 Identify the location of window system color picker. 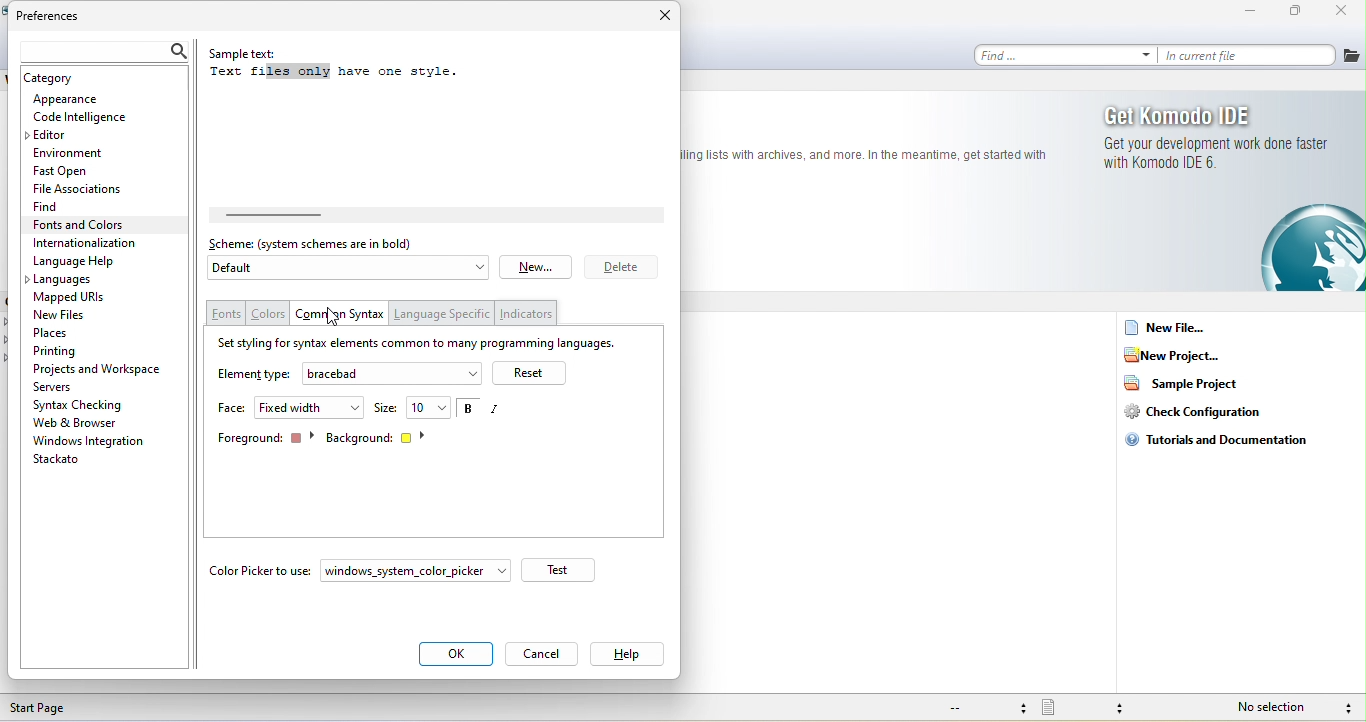
(419, 570).